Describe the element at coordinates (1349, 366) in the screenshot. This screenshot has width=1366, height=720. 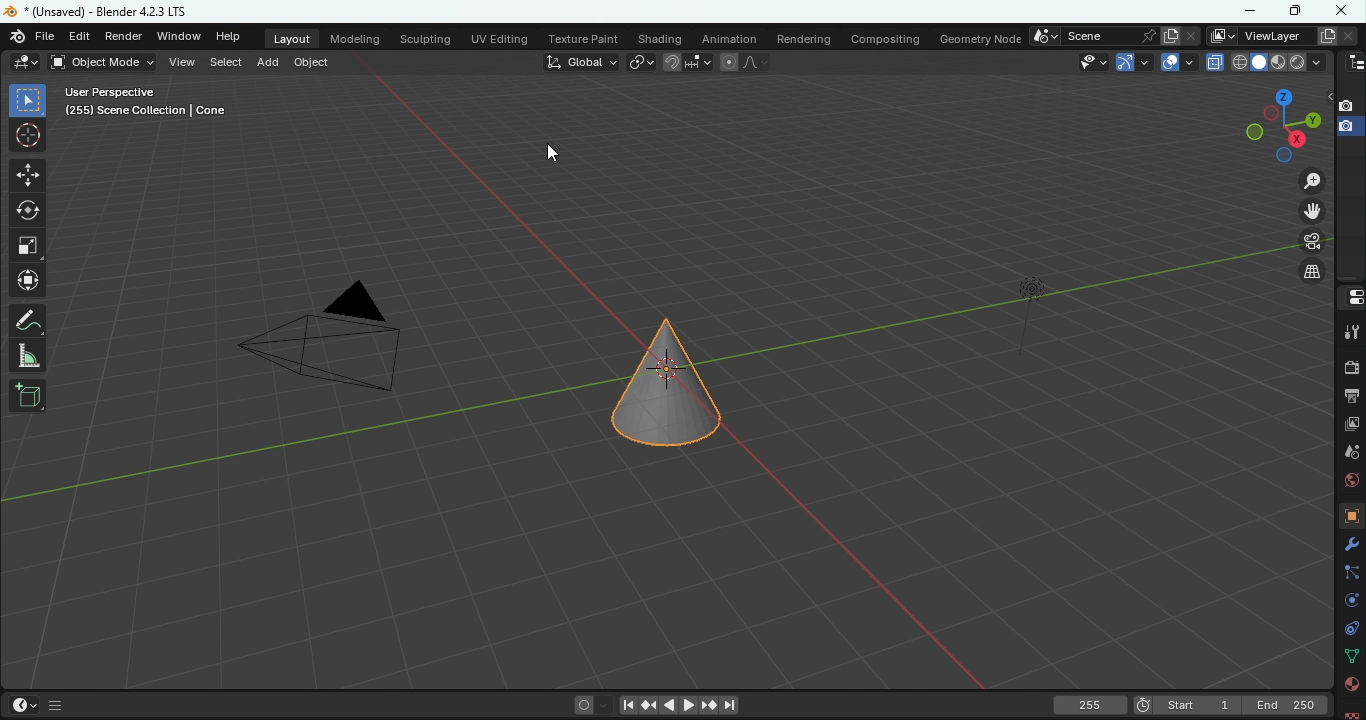
I see `Render` at that location.